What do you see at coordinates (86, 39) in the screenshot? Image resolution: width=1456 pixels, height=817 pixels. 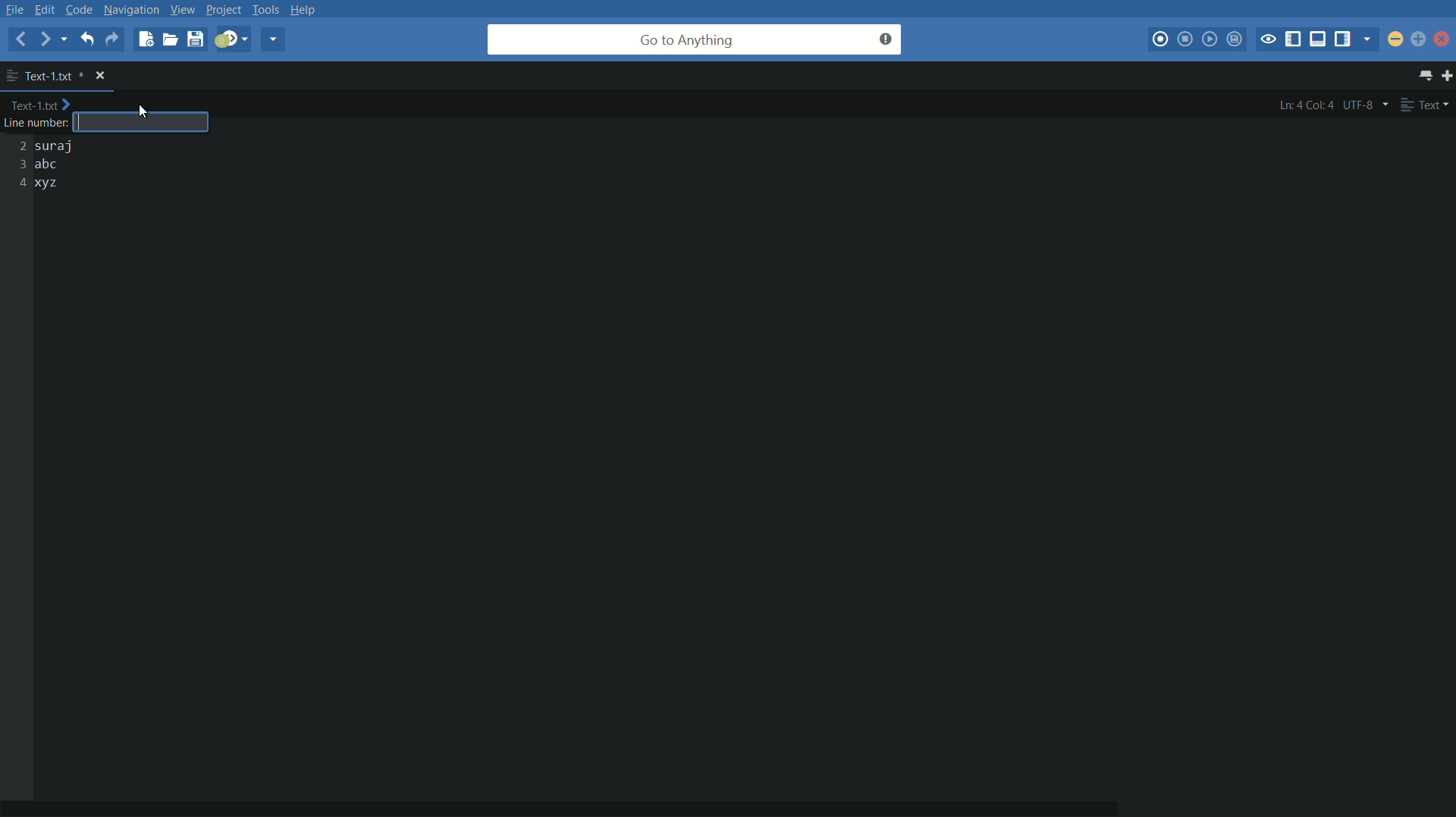 I see `undo` at bounding box center [86, 39].